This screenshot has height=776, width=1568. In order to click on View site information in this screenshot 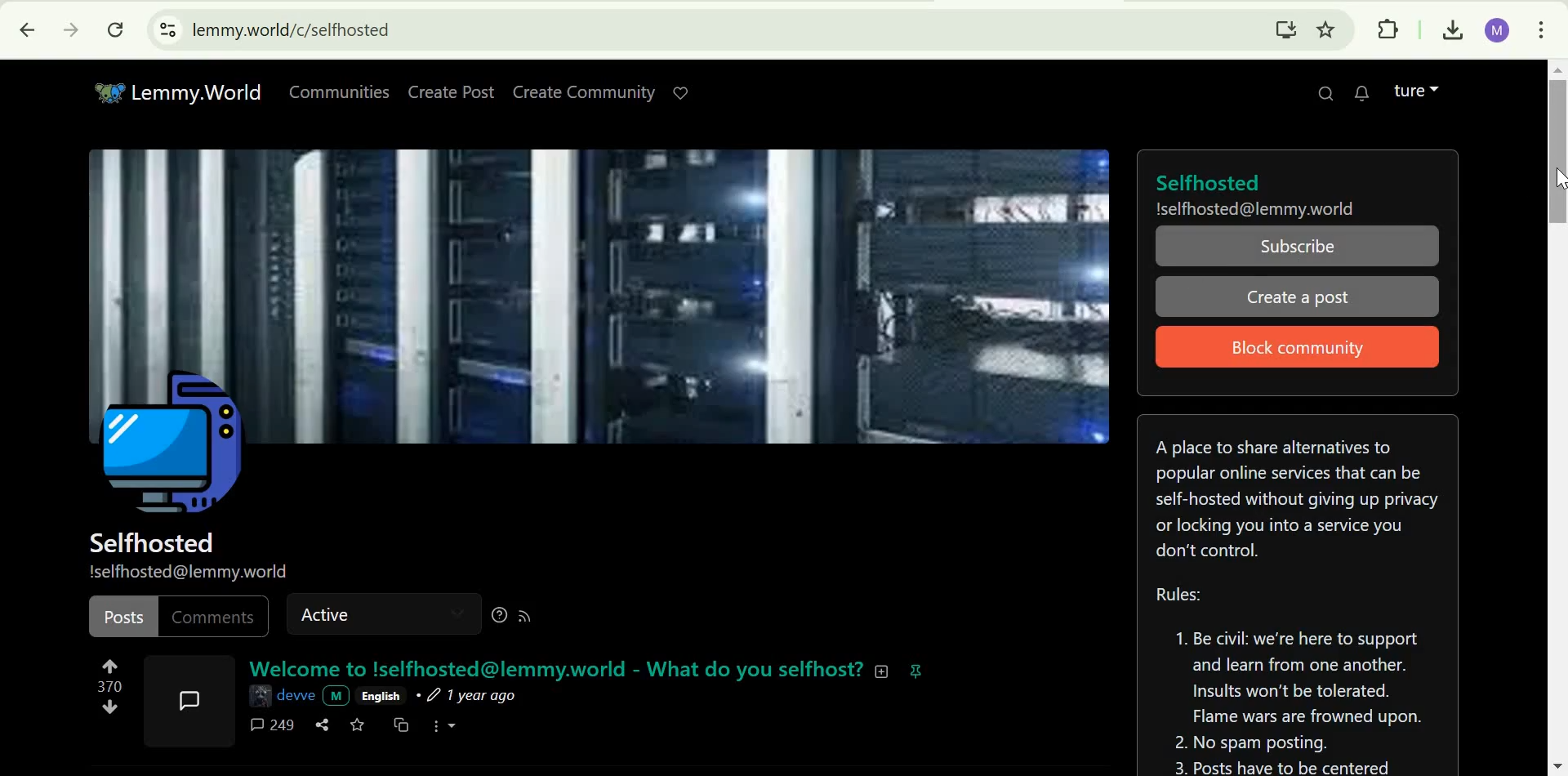, I will do `click(168, 30)`.